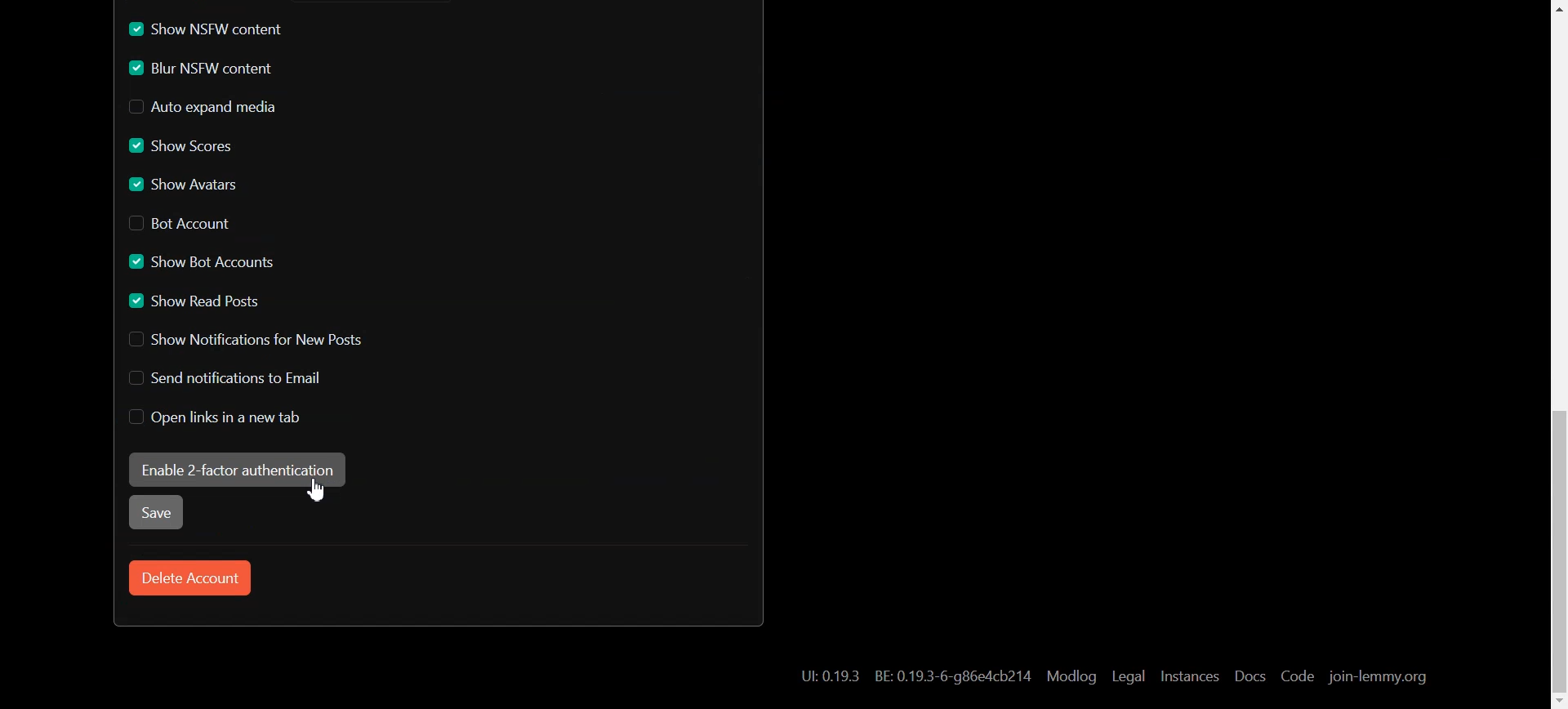 Image resolution: width=1568 pixels, height=709 pixels. Describe the element at coordinates (914, 674) in the screenshot. I see `Hyperlink` at that location.